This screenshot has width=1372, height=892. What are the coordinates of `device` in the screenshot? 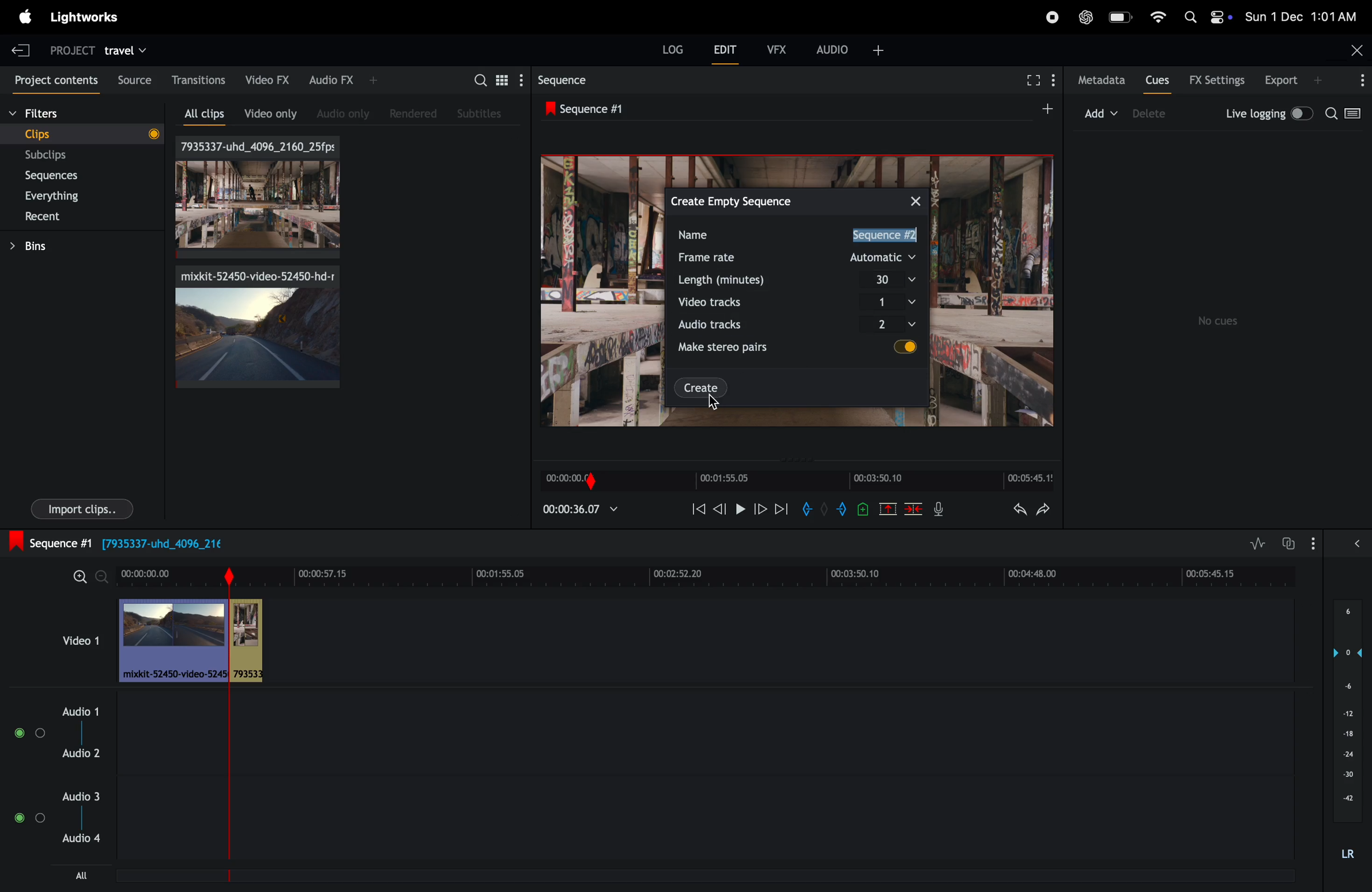 It's located at (1151, 112).